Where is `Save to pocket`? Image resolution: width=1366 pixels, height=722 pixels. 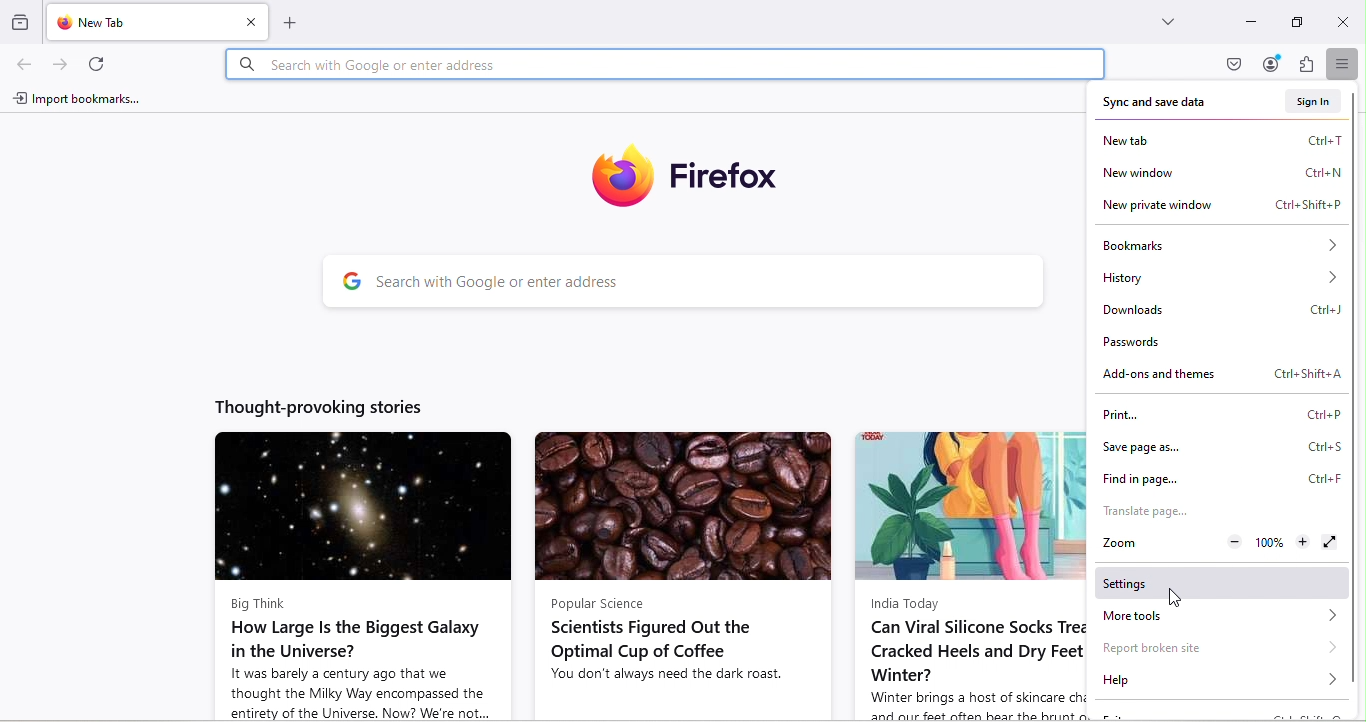 Save to pocket is located at coordinates (1229, 62).